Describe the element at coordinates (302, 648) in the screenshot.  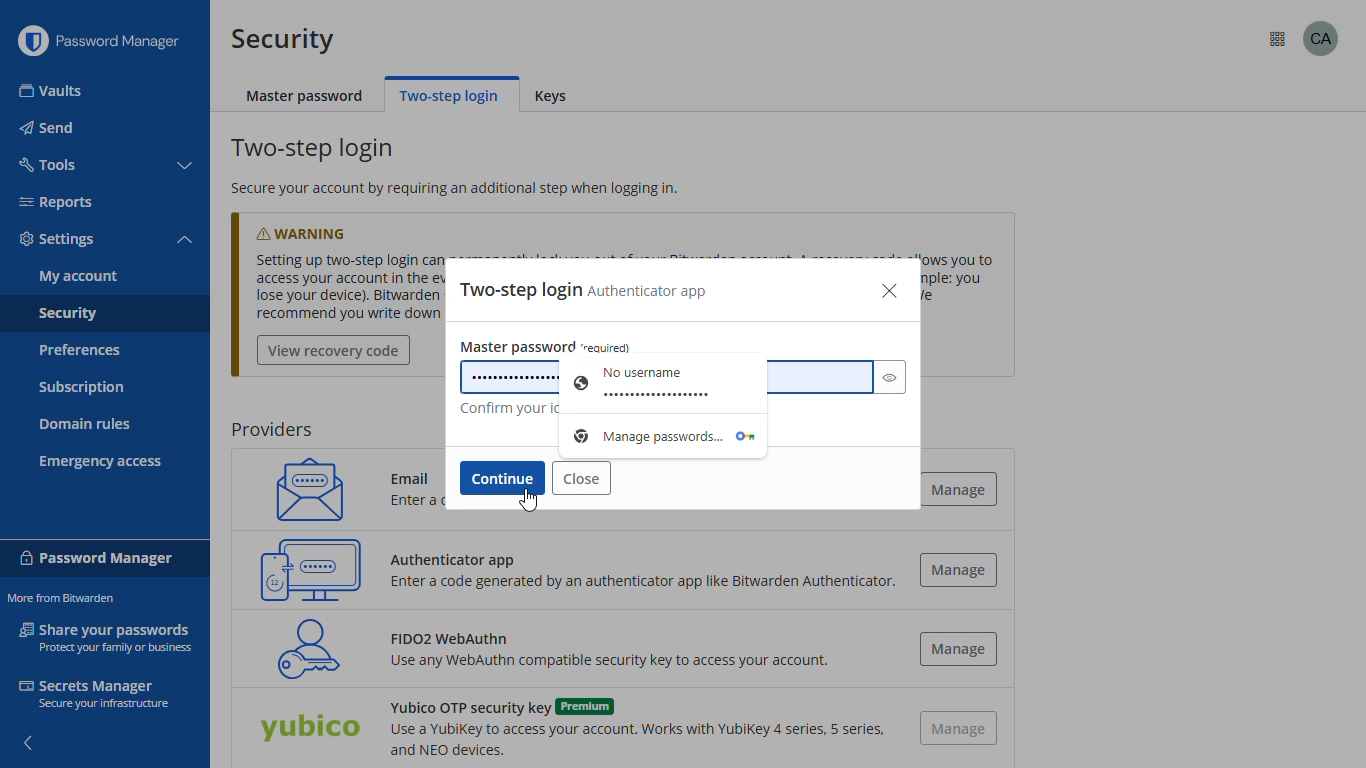
I see `FIDO2 WebAuthn` at that location.